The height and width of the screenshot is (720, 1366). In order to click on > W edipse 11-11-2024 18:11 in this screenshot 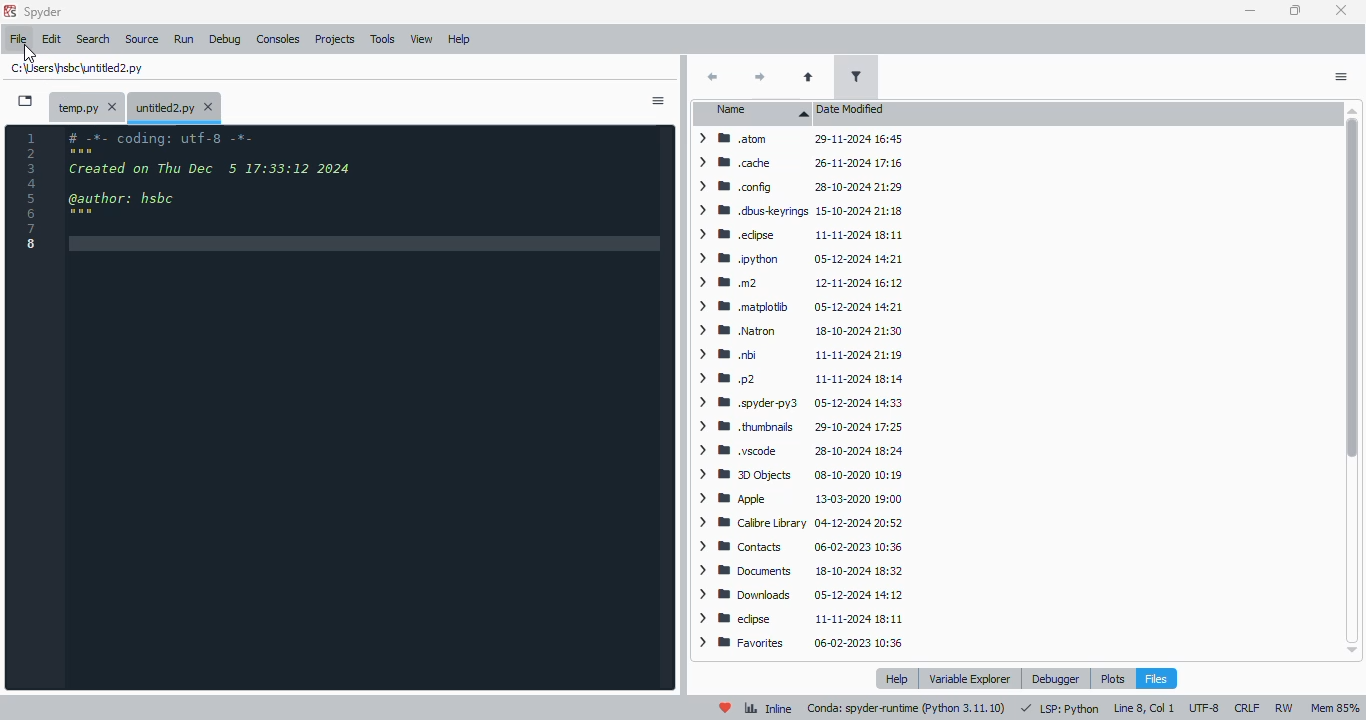, I will do `click(801, 620)`.